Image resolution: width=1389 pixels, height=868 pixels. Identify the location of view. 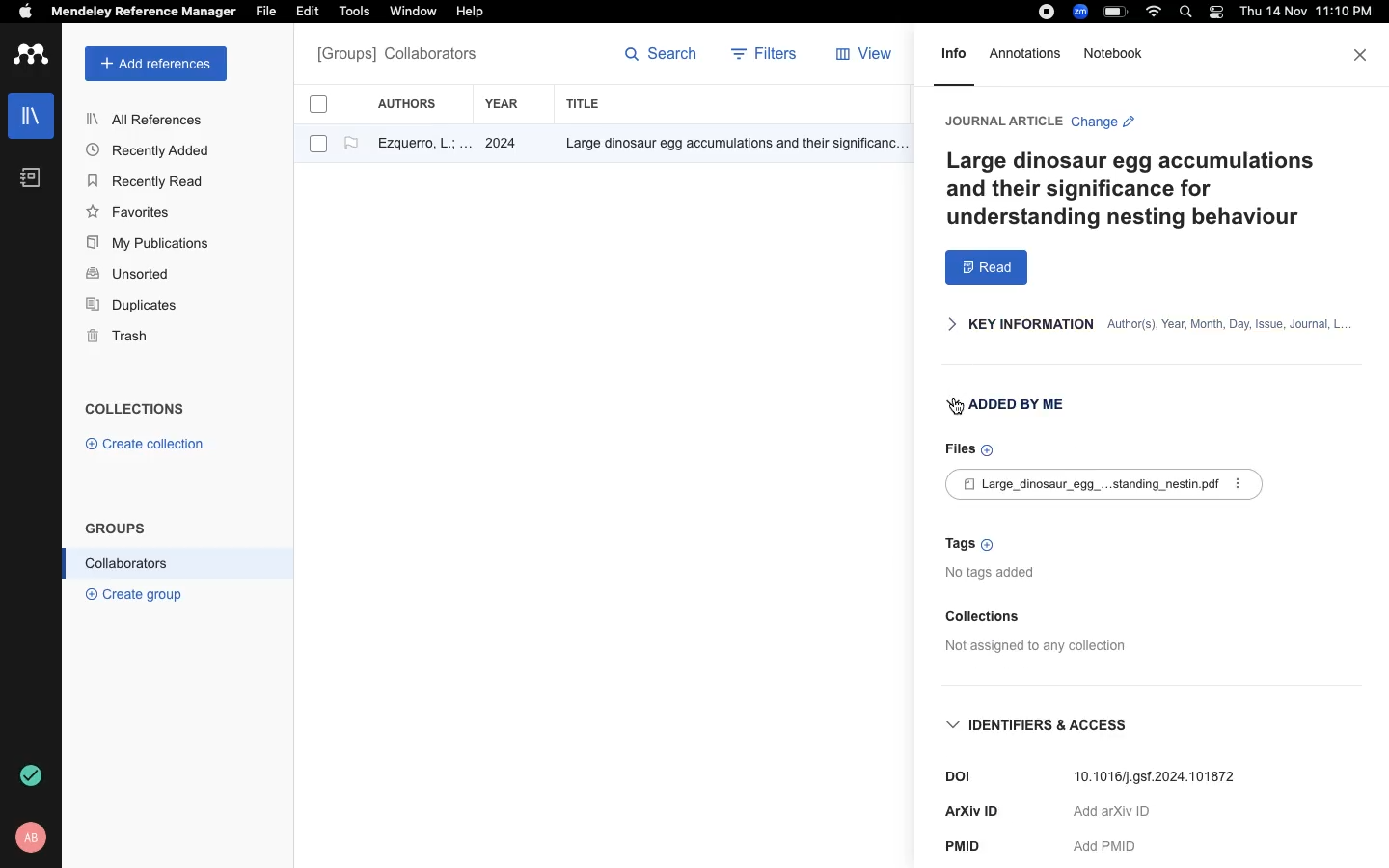
(868, 58).